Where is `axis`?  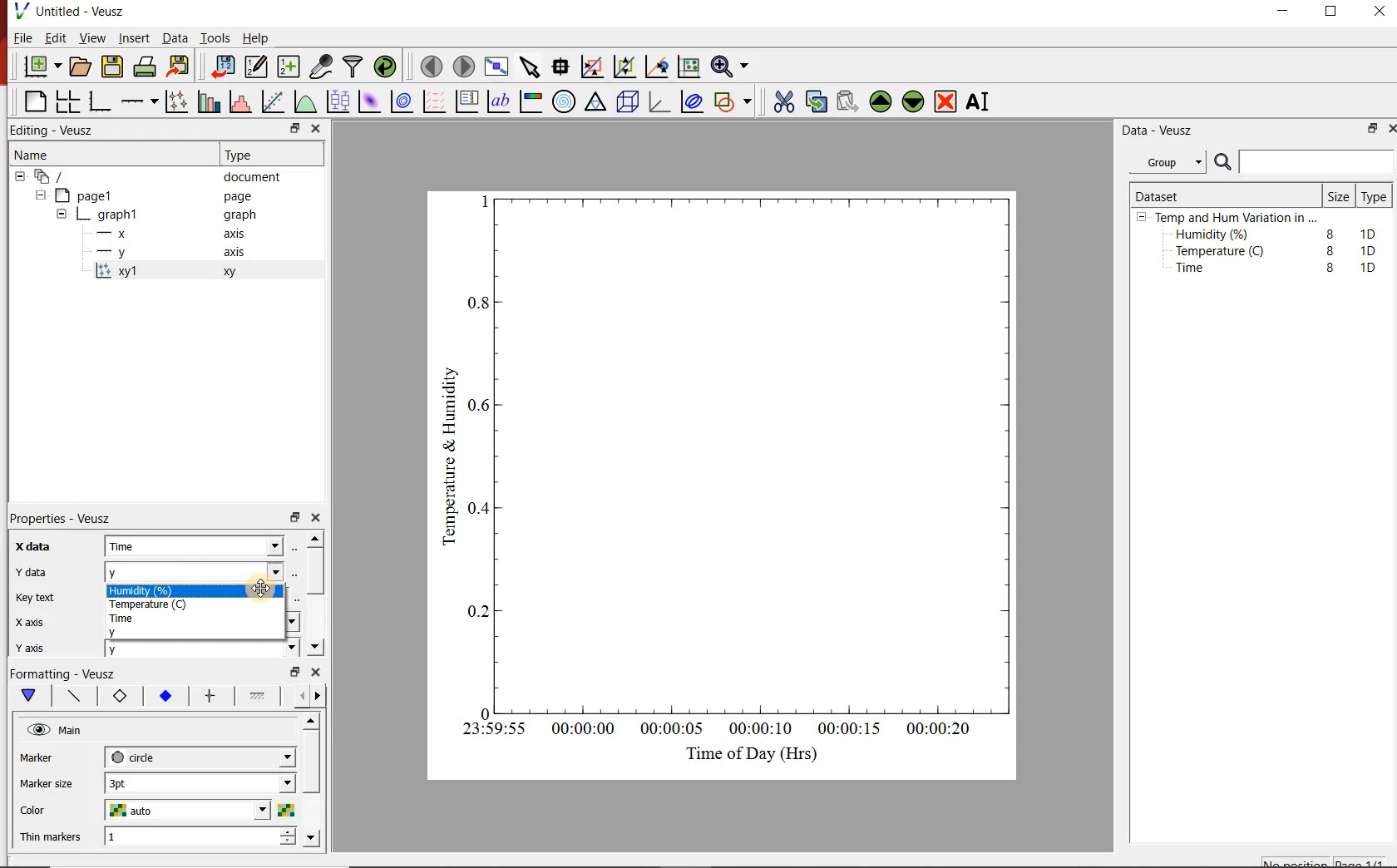 axis is located at coordinates (238, 254).